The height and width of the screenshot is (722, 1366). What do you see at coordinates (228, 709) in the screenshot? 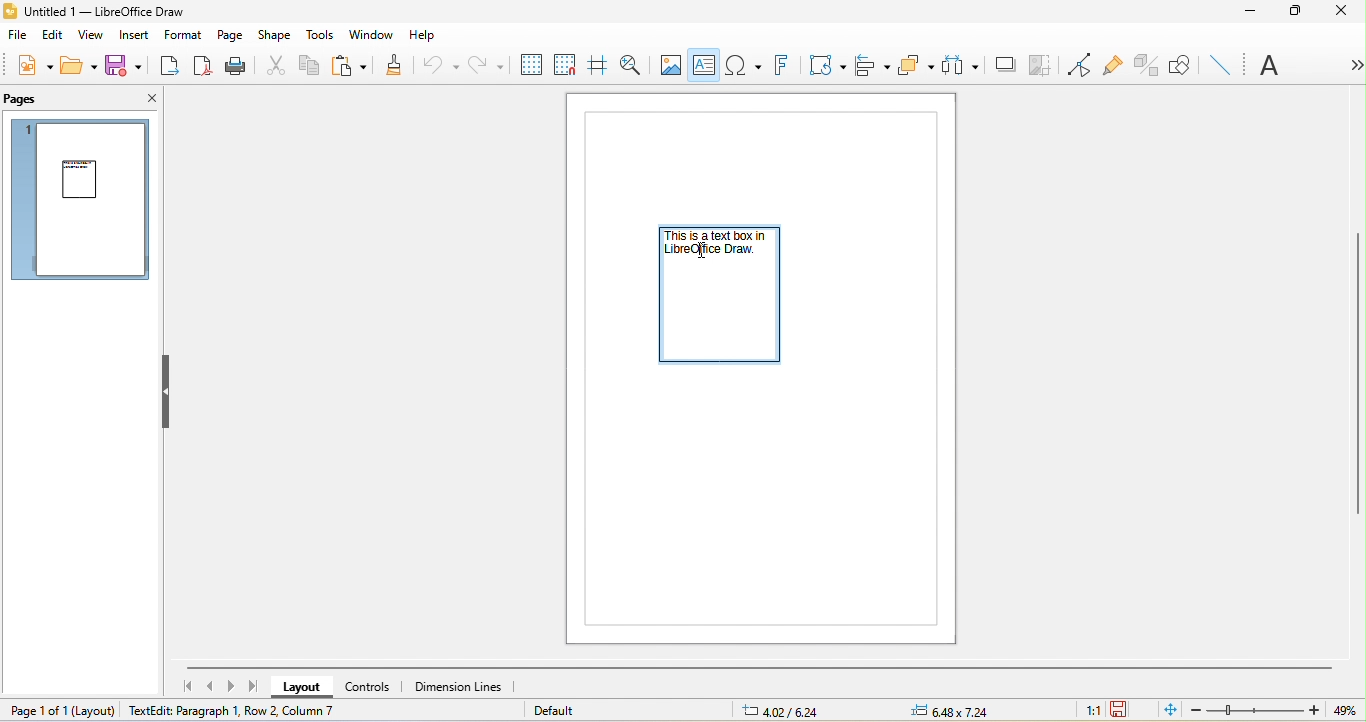
I see `textedit paragraph 1, row 2, column 7` at bounding box center [228, 709].